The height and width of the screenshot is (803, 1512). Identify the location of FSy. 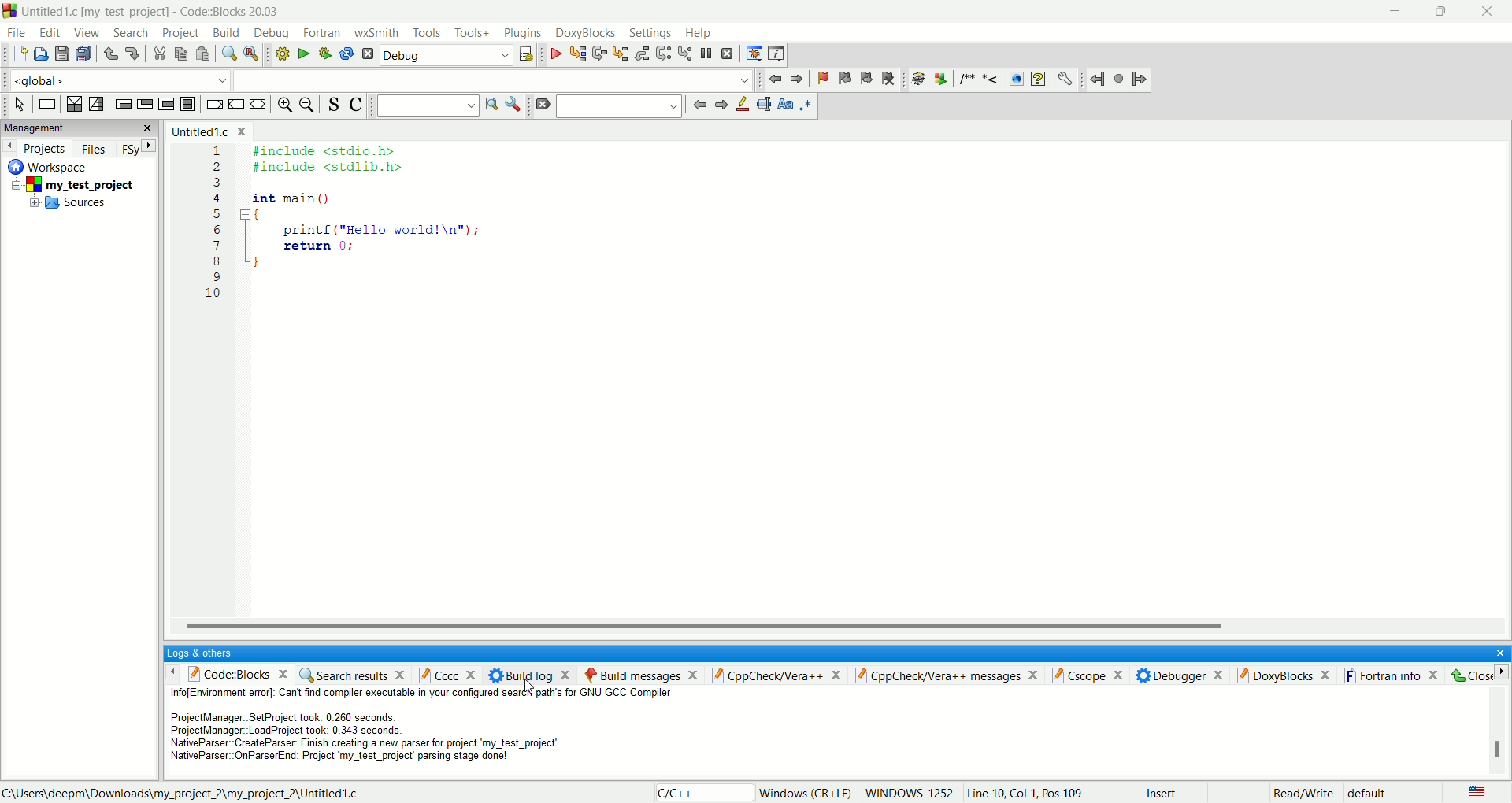
(136, 148).